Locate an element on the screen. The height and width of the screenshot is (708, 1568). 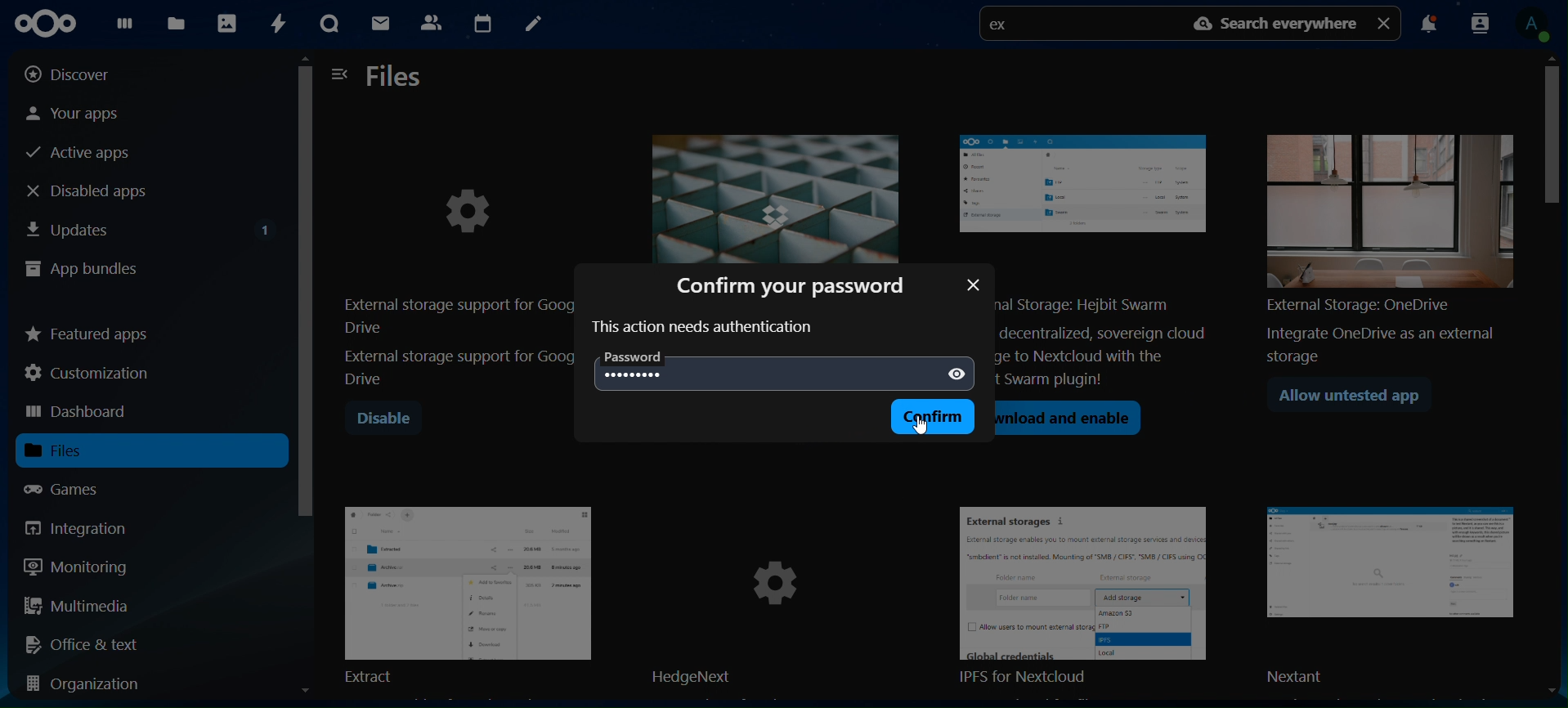
app bundles is located at coordinates (82, 271).